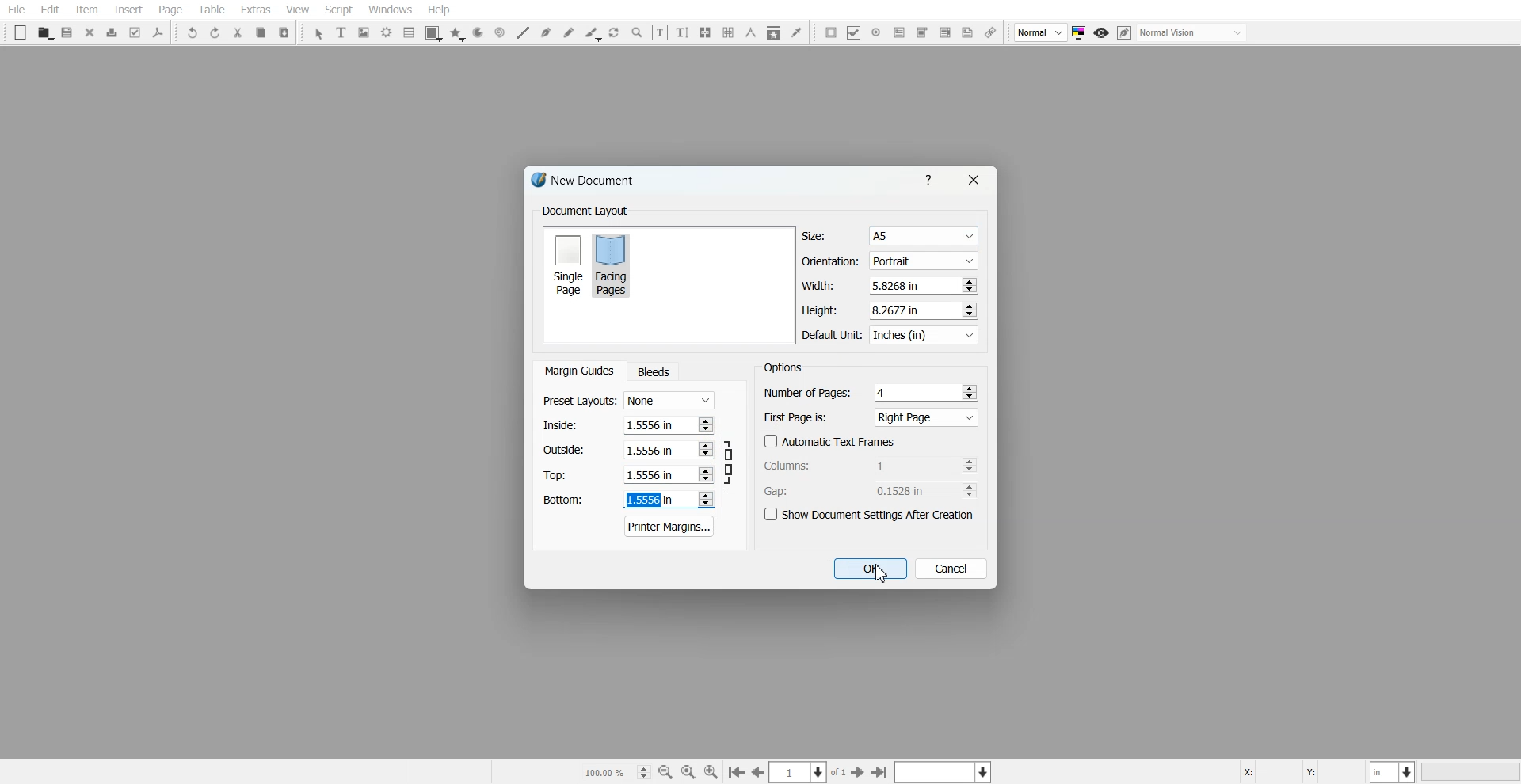 This screenshot has width=1521, height=784. Describe the element at coordinates (871, 465) in the screenshot. I see `Column adjuster` at that location.